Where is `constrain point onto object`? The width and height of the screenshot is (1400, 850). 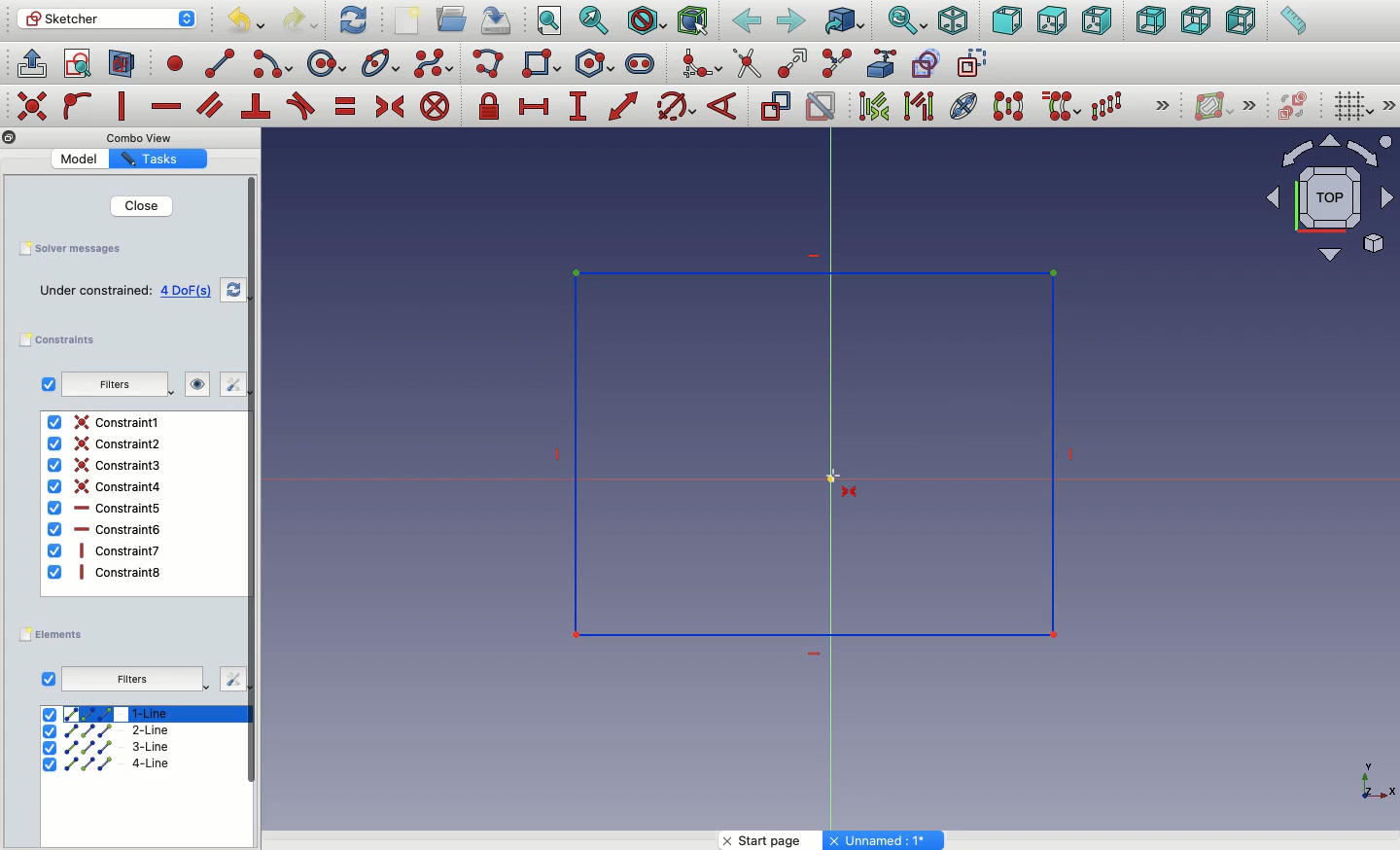 constrain point onto object is located at coordinates (78, 105).